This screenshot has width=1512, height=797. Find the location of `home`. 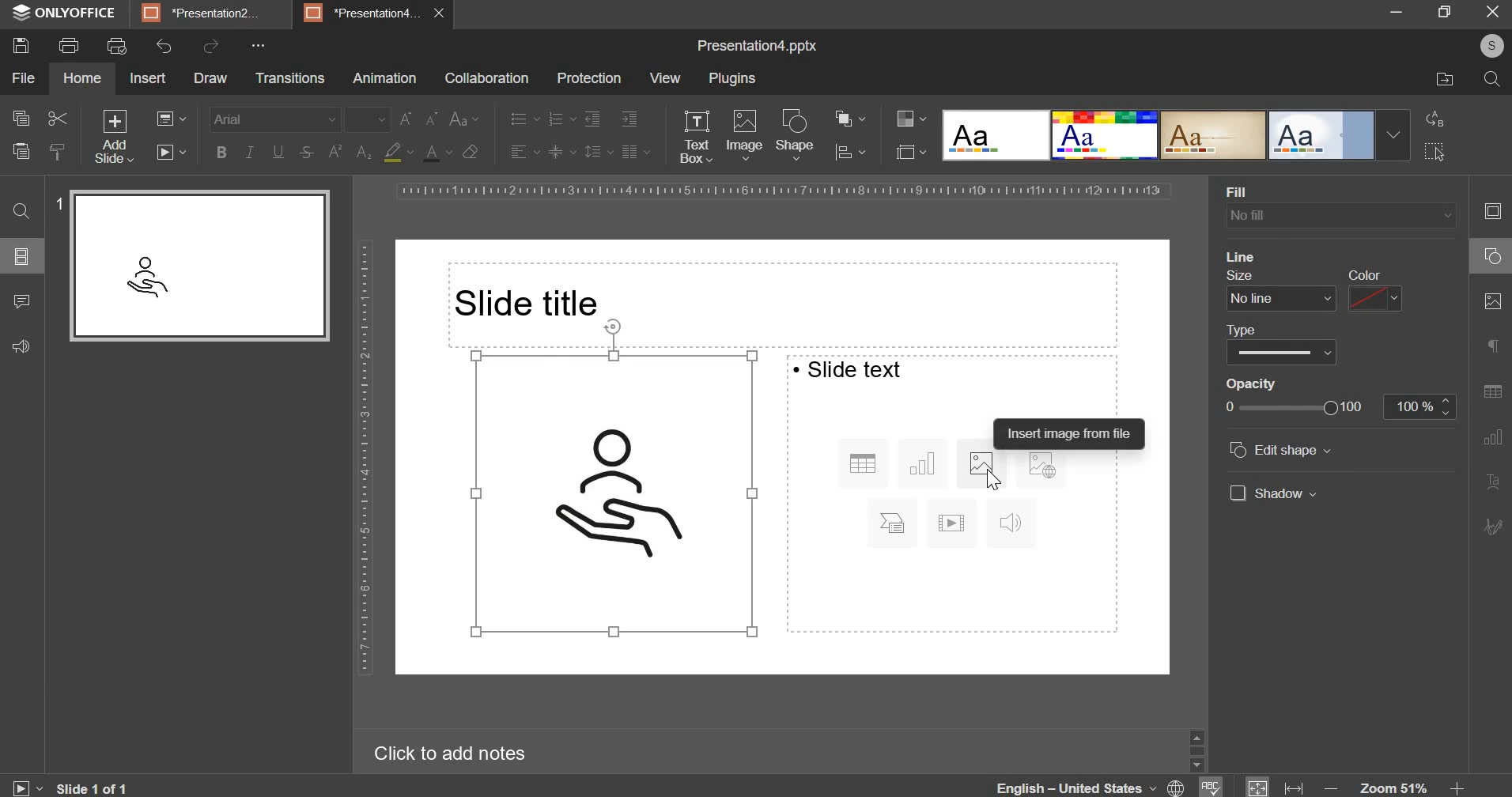

home is located at coordinates (83, 77).